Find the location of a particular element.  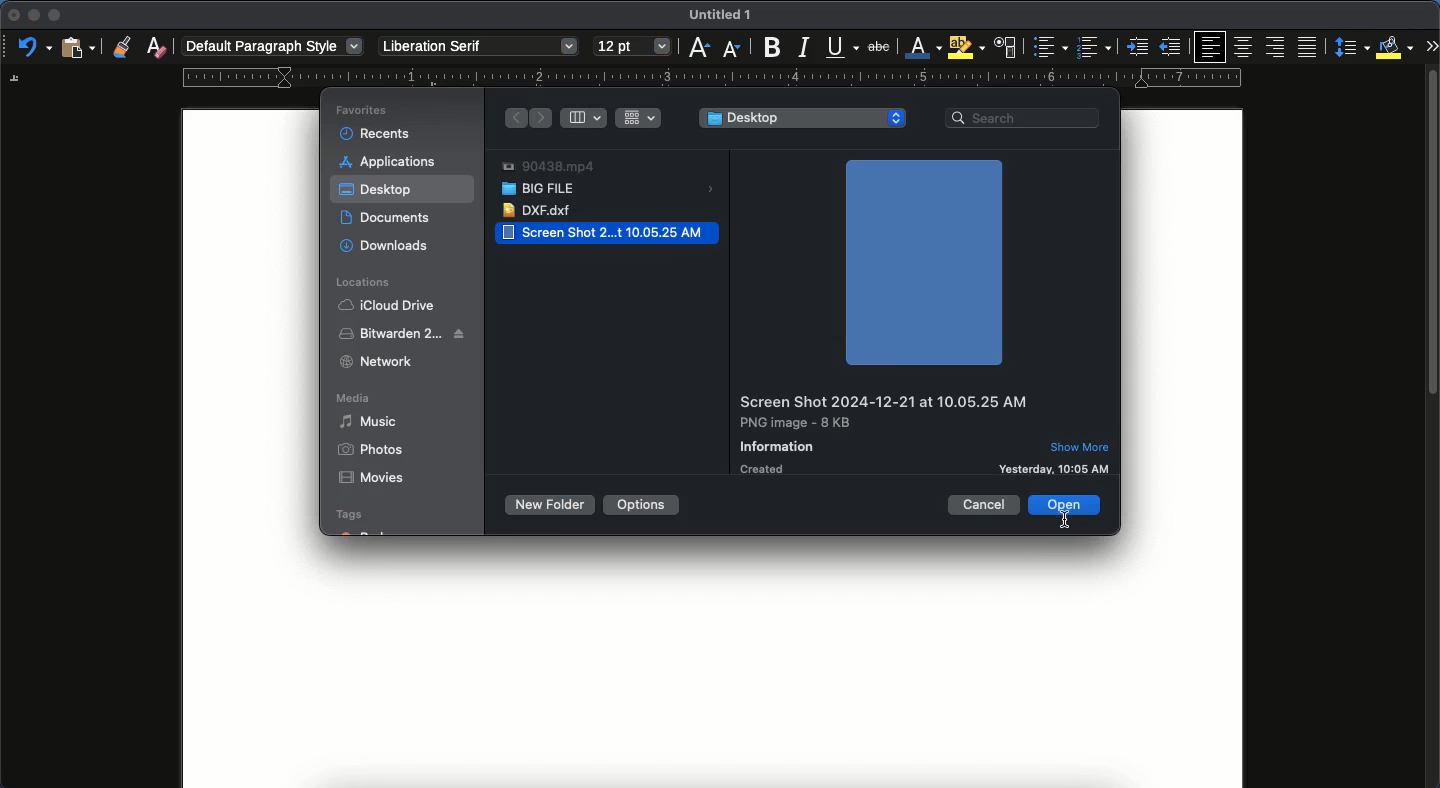

close is located at coordinates (12, 16).